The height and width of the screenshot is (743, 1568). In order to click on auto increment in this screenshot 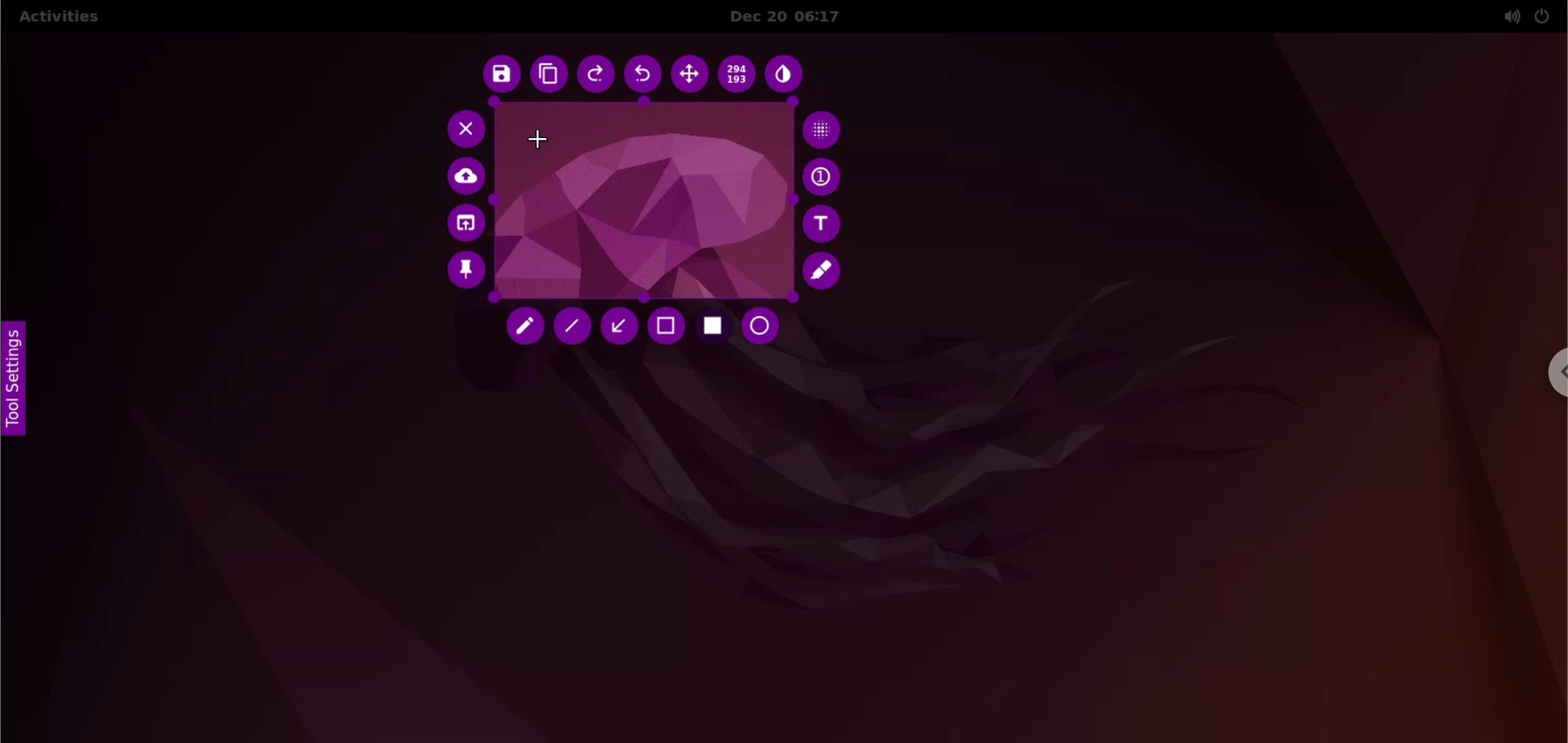, I will do `click(824, 176)`.